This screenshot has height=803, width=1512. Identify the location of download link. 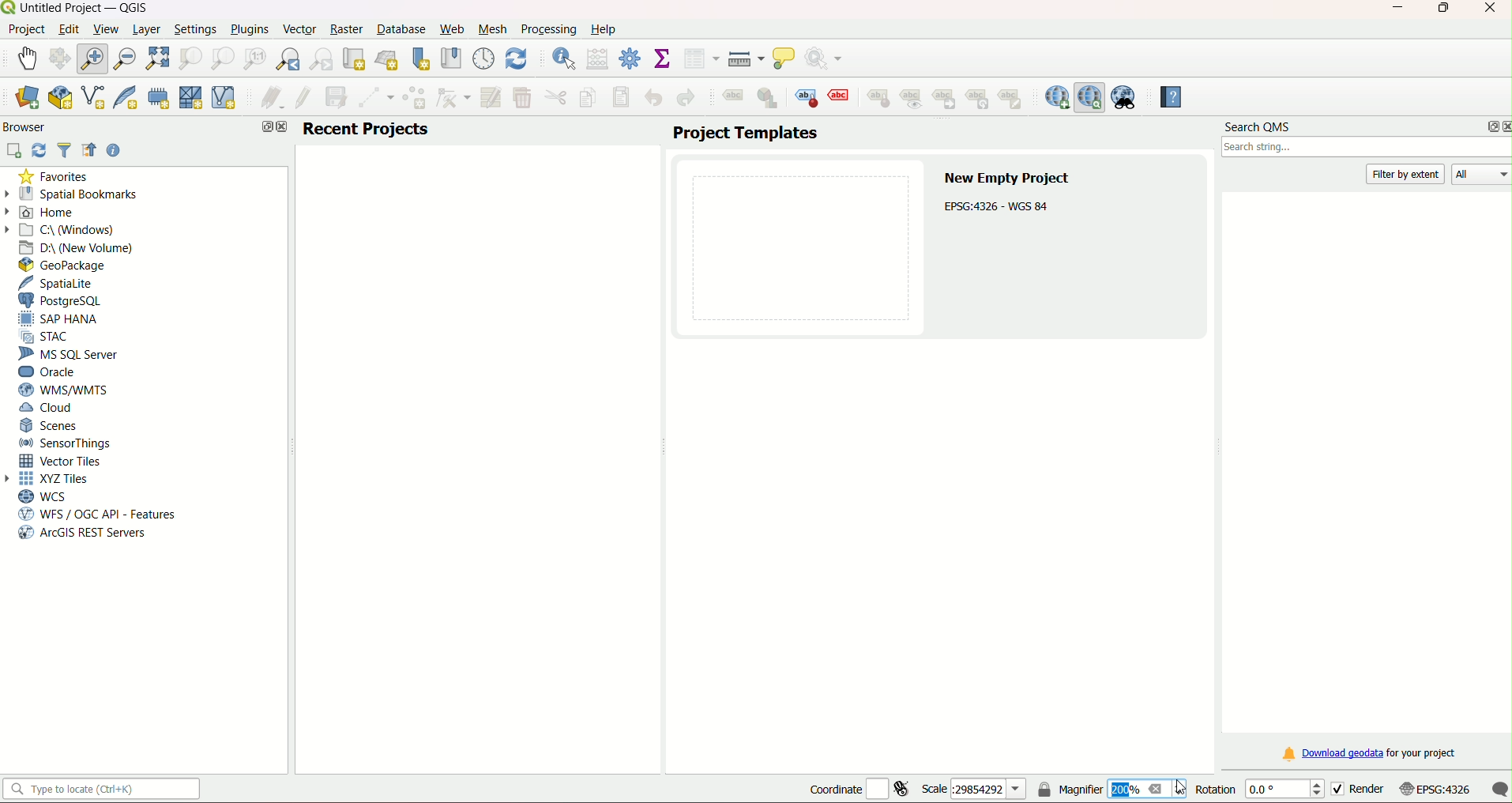
(1367, 754).